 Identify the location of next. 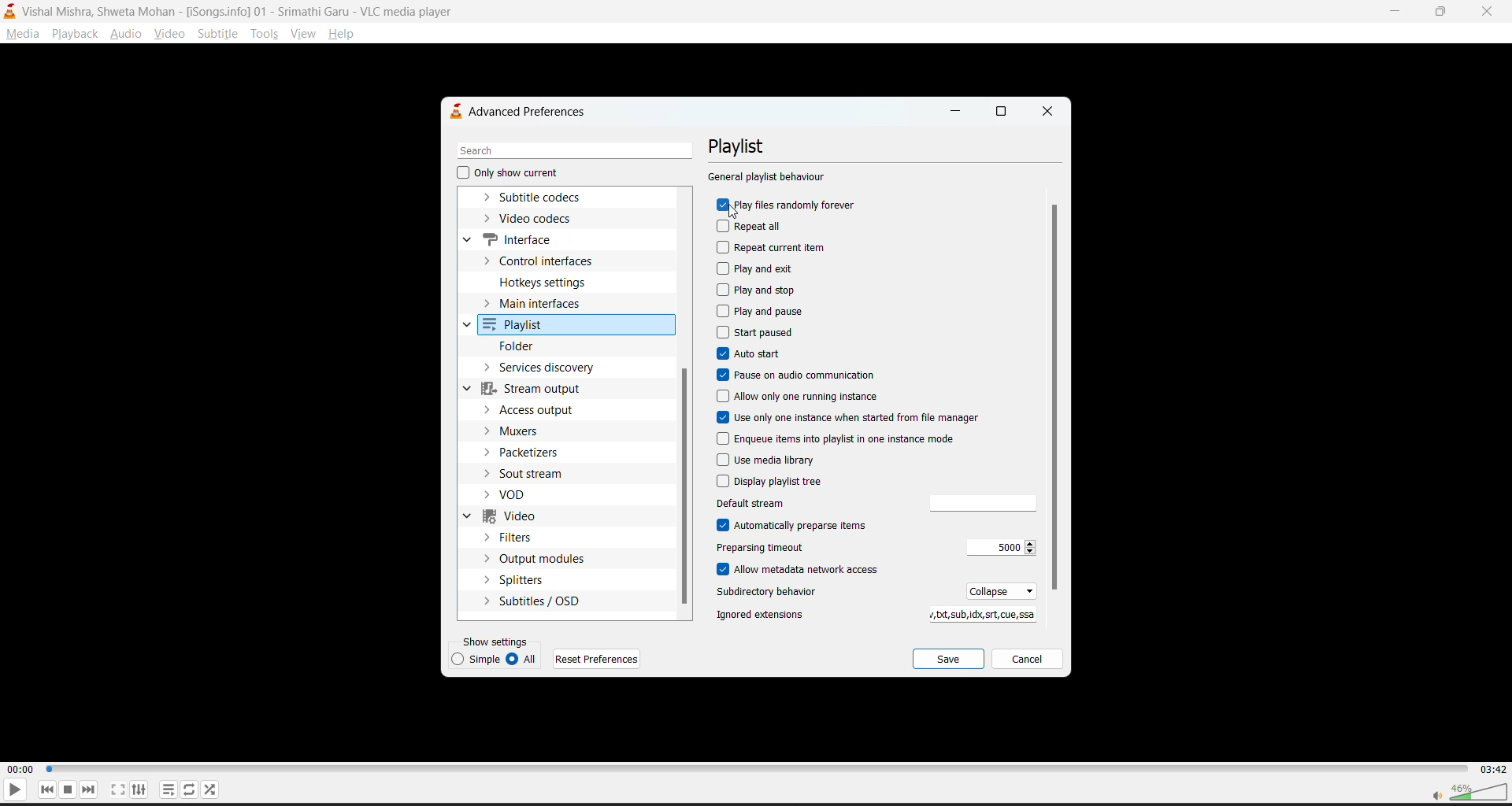
(86, 790).